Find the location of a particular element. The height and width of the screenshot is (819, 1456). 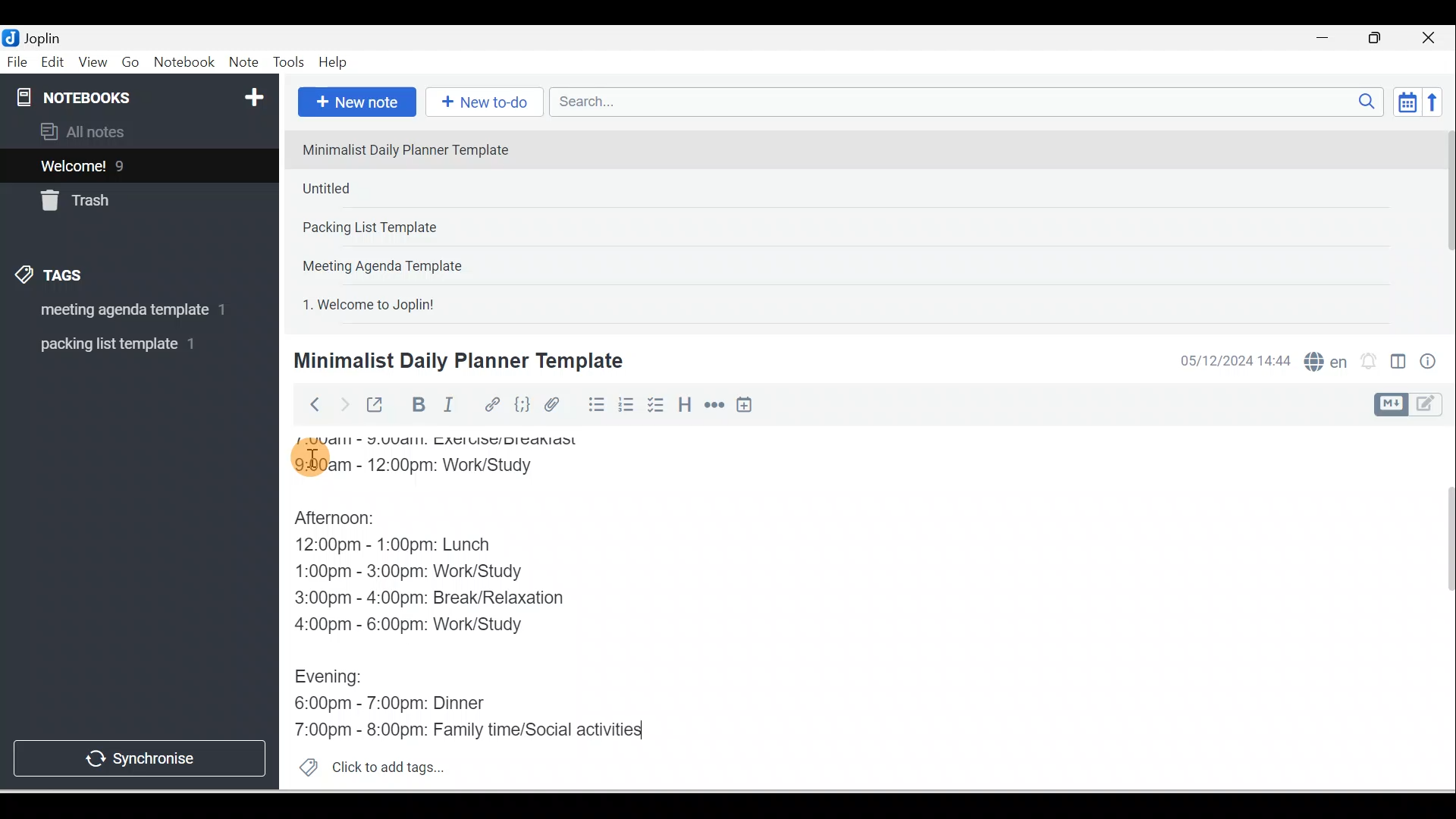

Minimalist Daily Planner Template is located at coordinates (456, 361).